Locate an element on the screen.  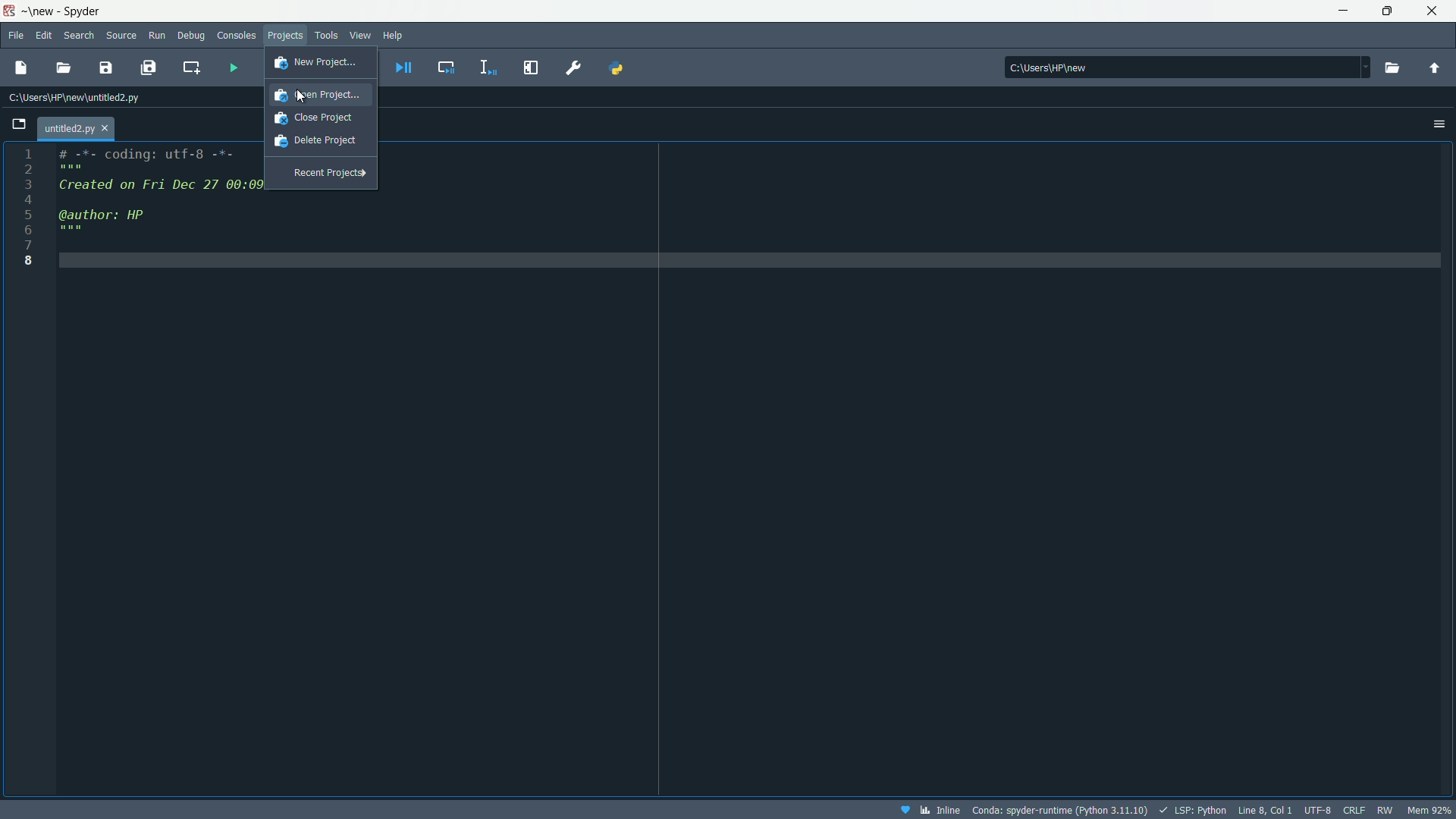
minimize is located at coordinates (1341, 9).